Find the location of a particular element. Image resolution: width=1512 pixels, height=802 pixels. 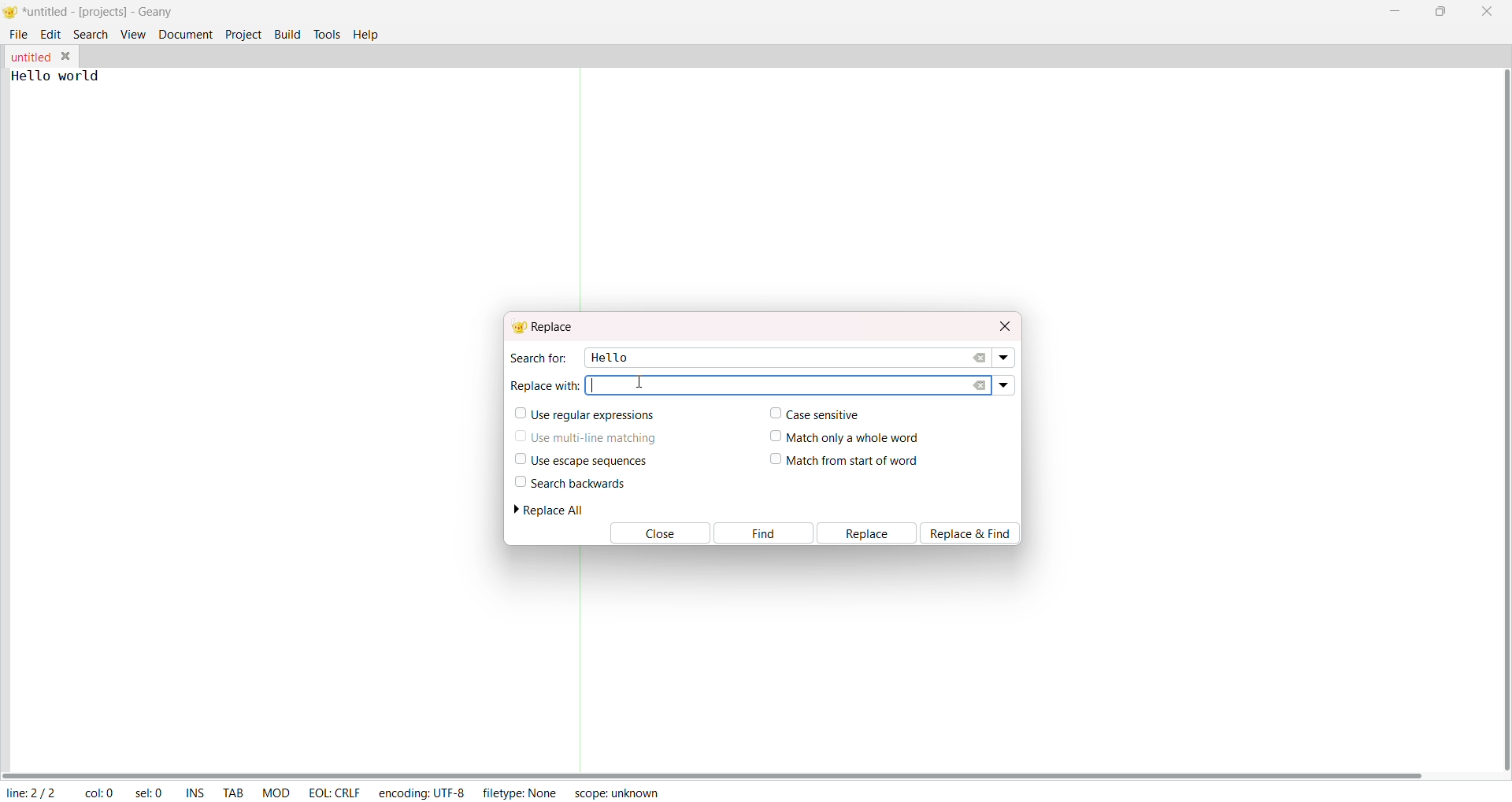

match from start of word is located at coordinates (845, 462).